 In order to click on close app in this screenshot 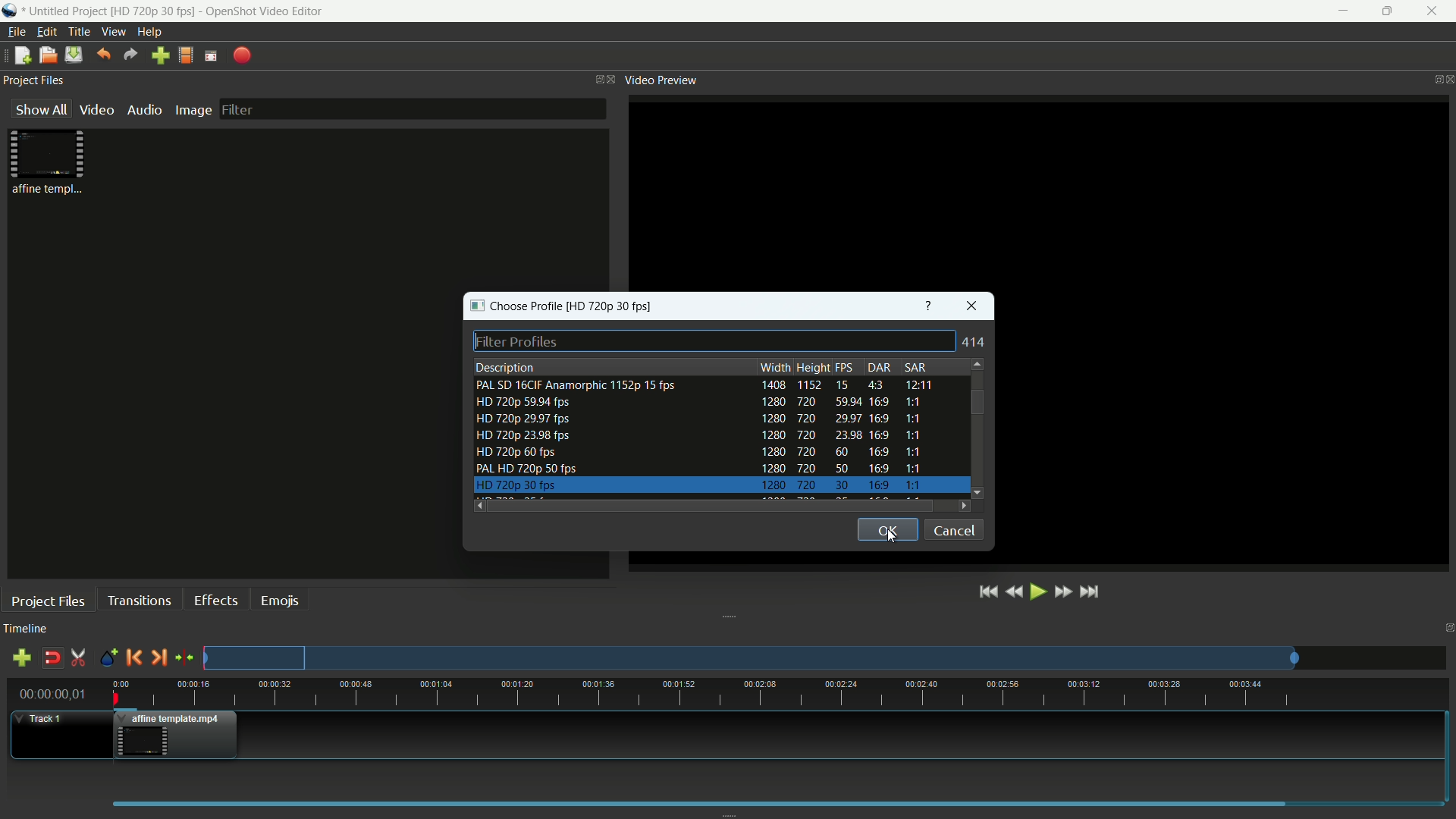, I will do `click(1436, 11)`.